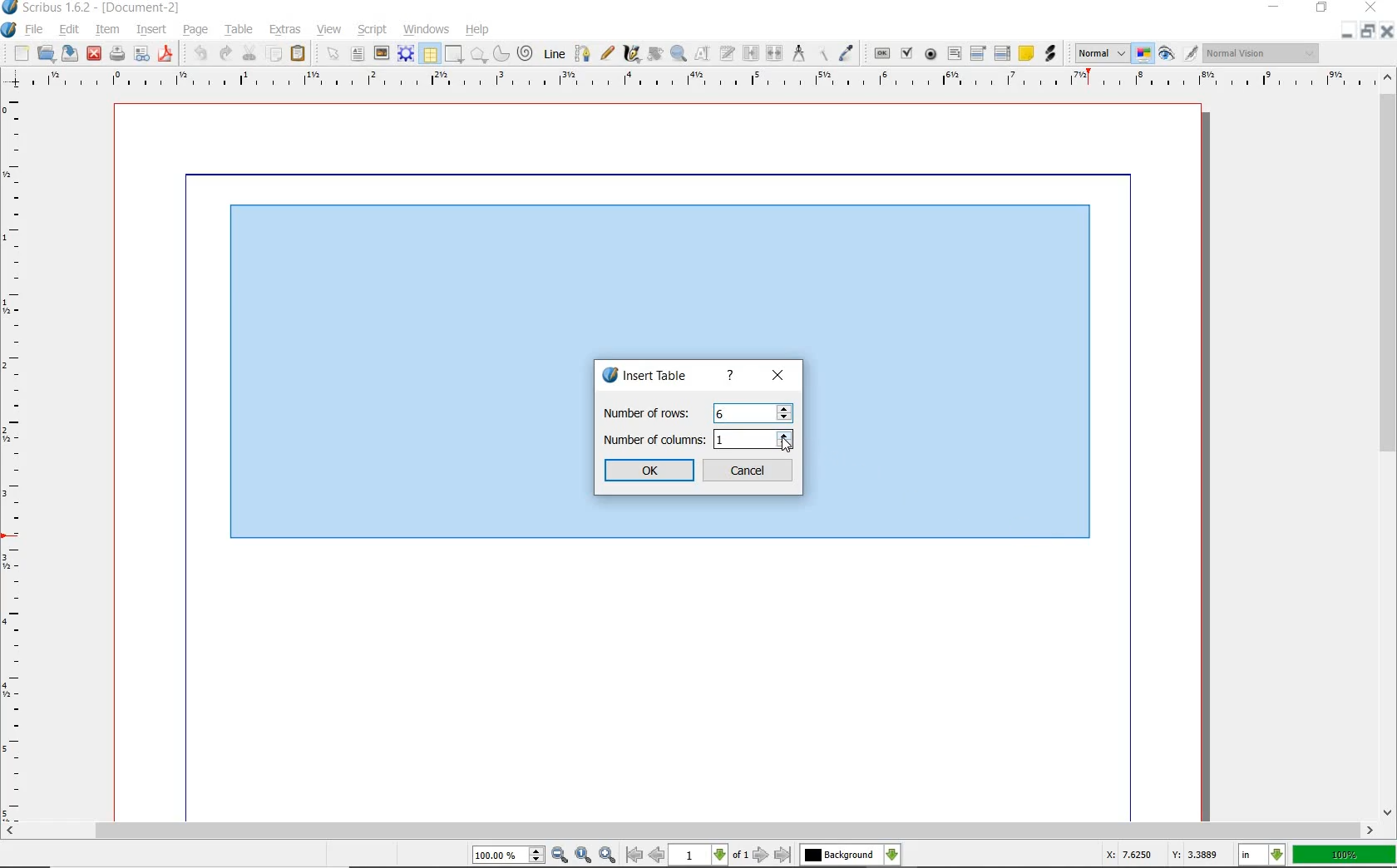 The height and width of the screenshot is (868, 1397). I want to click on help, so click(731, 375).